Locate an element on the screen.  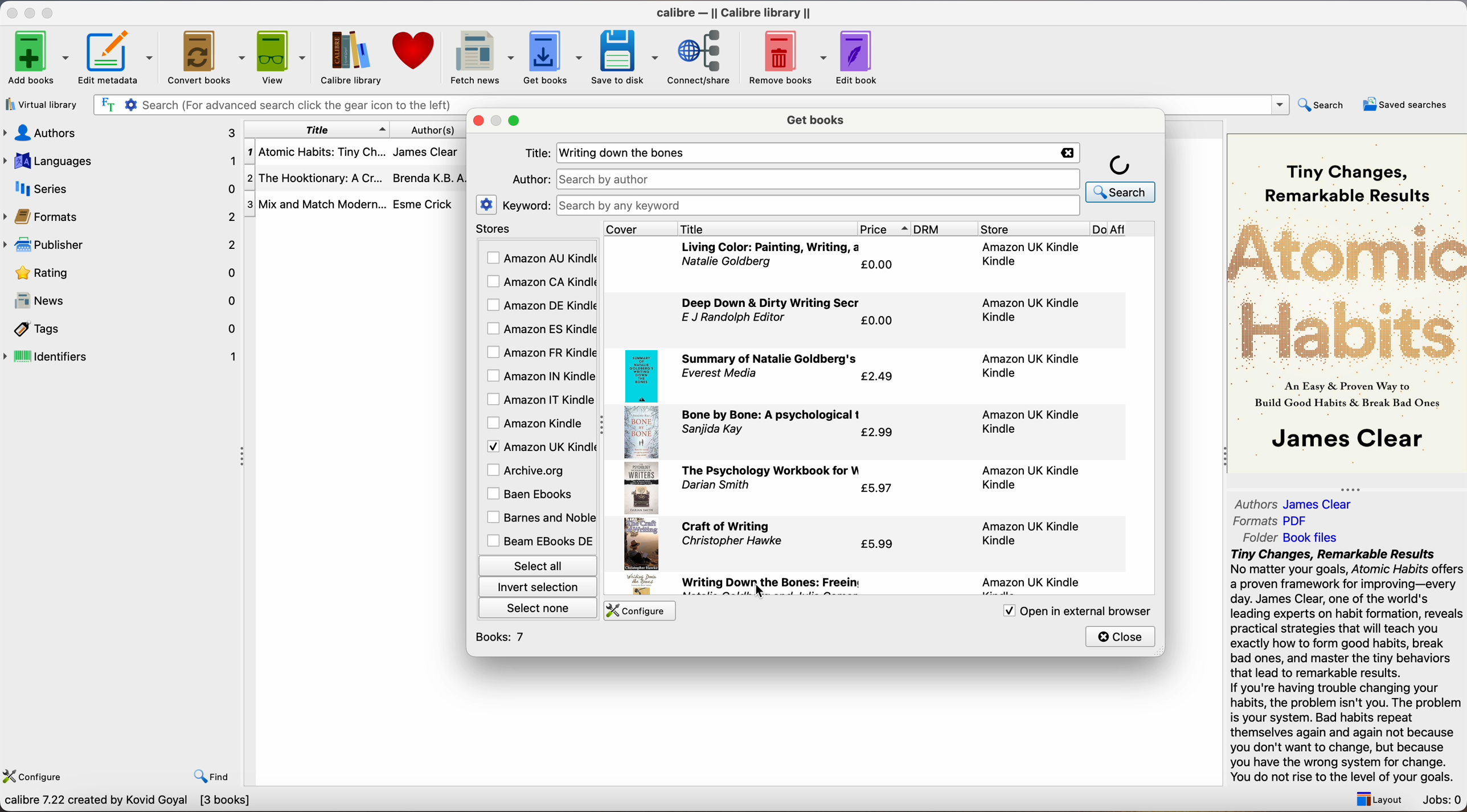
amazon UK kindle is located at coordinates (1031, 583).